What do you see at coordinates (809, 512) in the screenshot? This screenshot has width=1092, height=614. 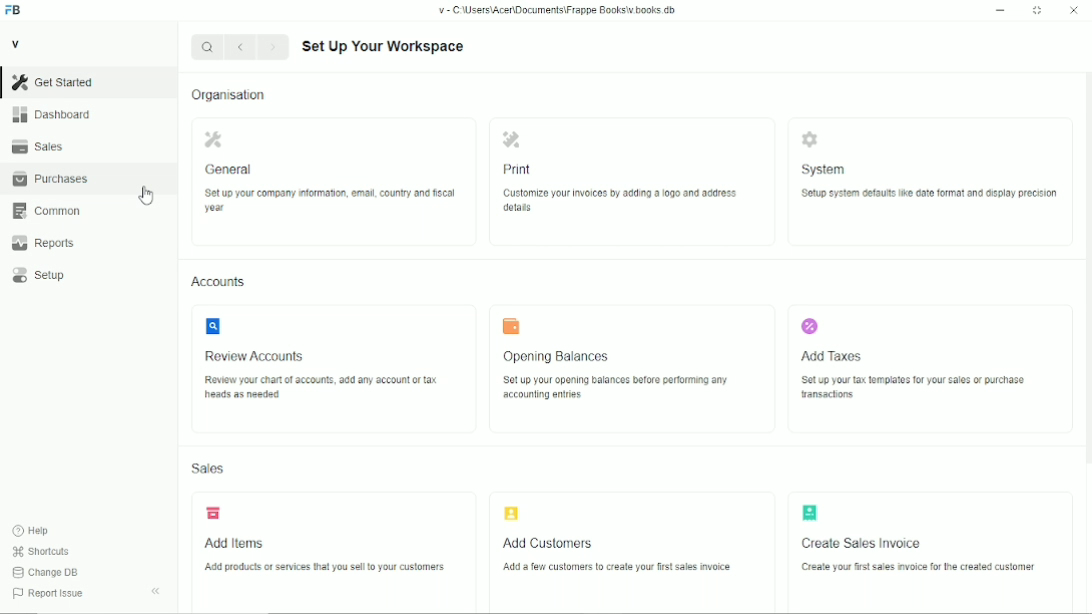 I see `Create Sales Invoice icon` at bounding box center [809, 512].